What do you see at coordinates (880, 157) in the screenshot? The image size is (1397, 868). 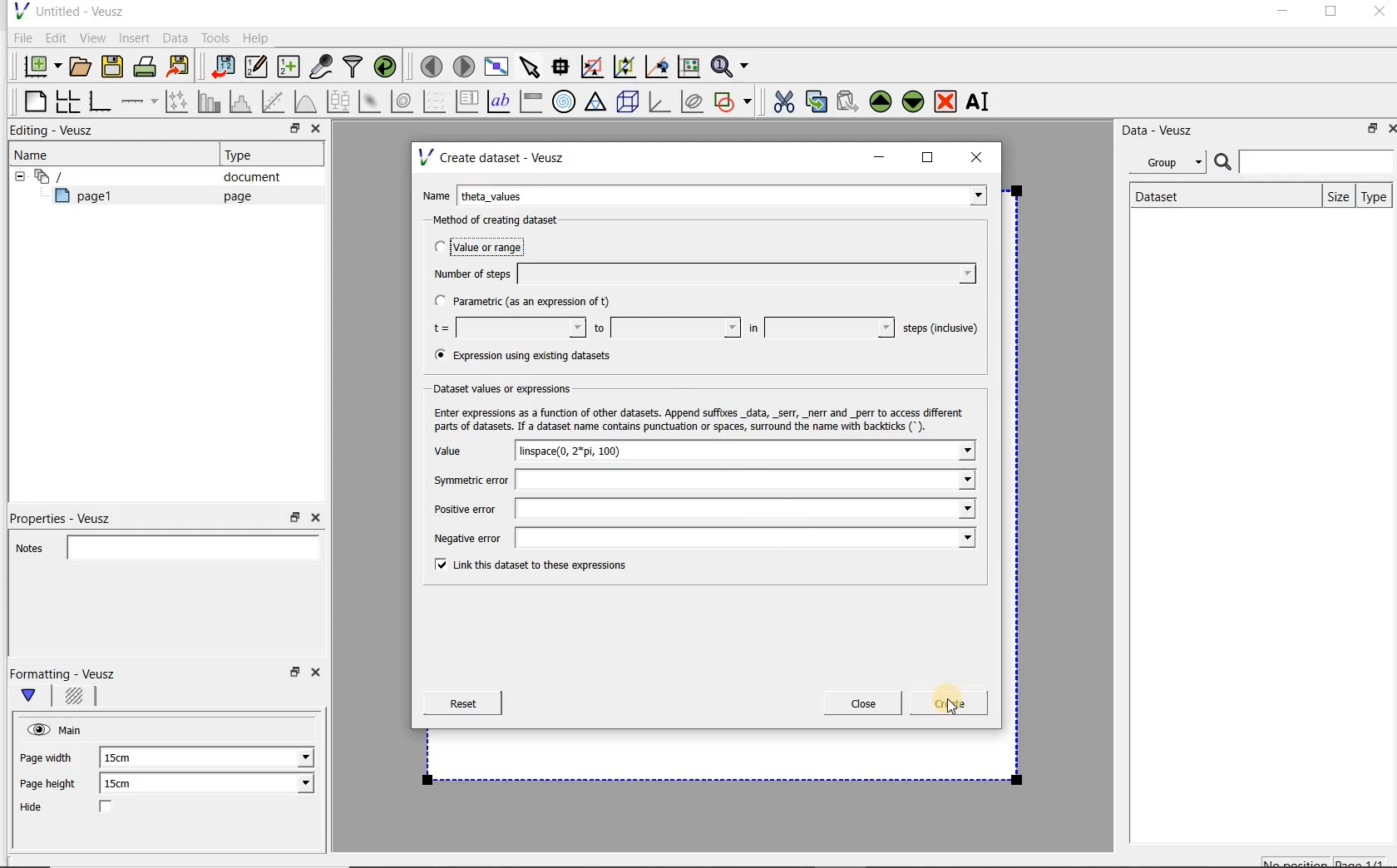 I see `minimize` at bounding box center [880, 157].